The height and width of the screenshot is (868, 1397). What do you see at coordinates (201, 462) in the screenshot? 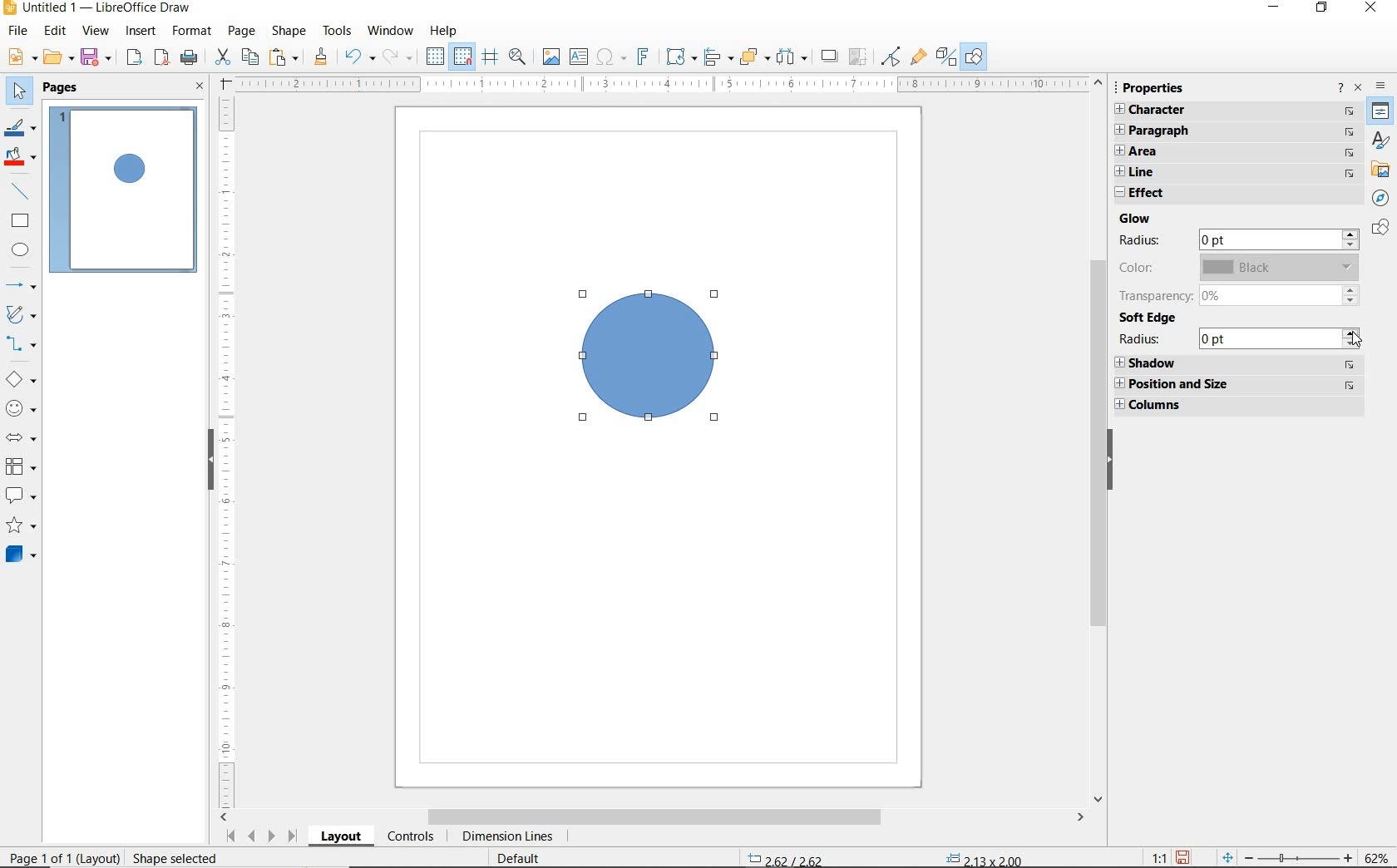
I see `hide` at bounding box center [201, 462].